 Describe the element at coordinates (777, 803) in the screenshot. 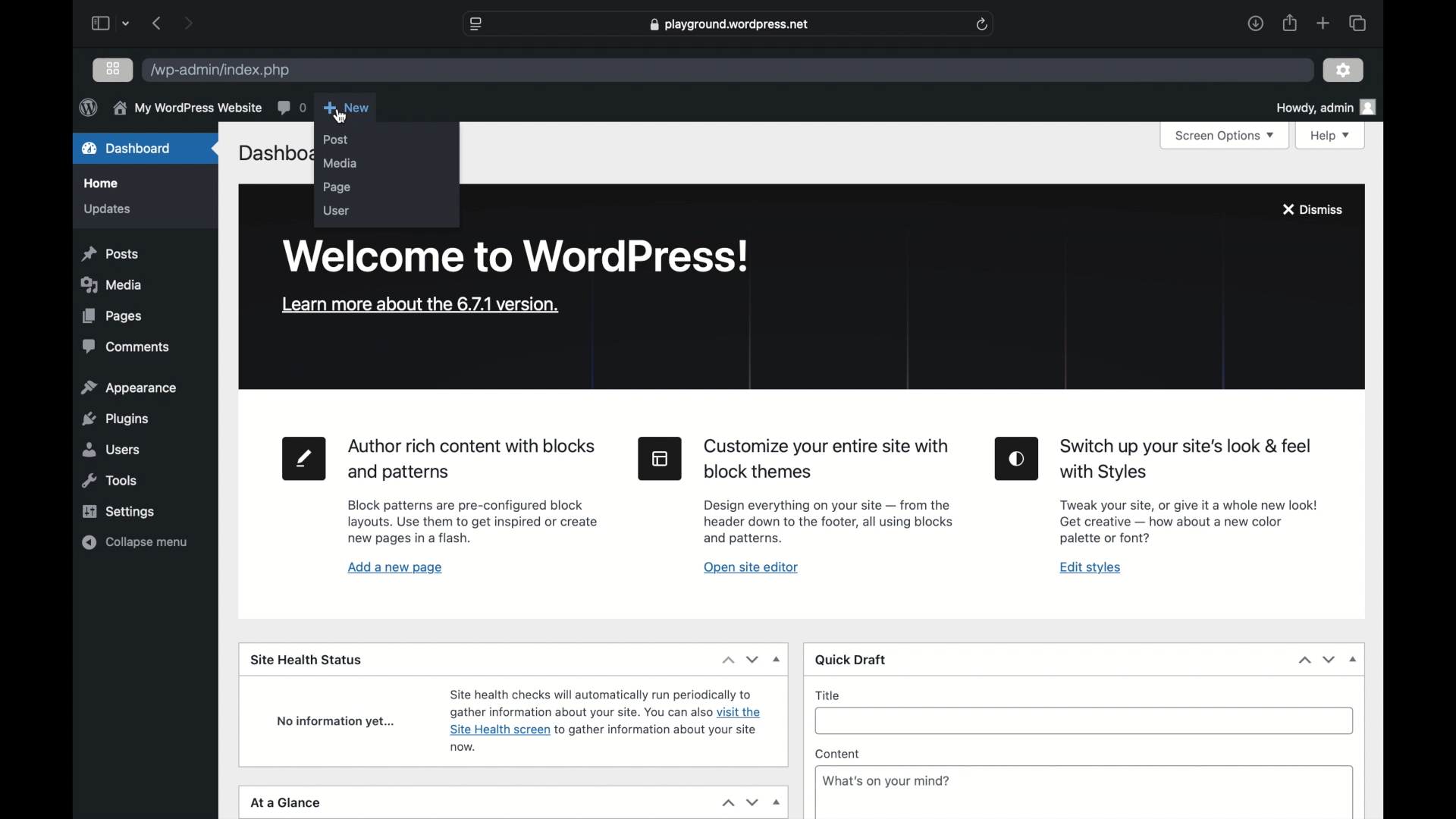

I see `dropdown` at that location.